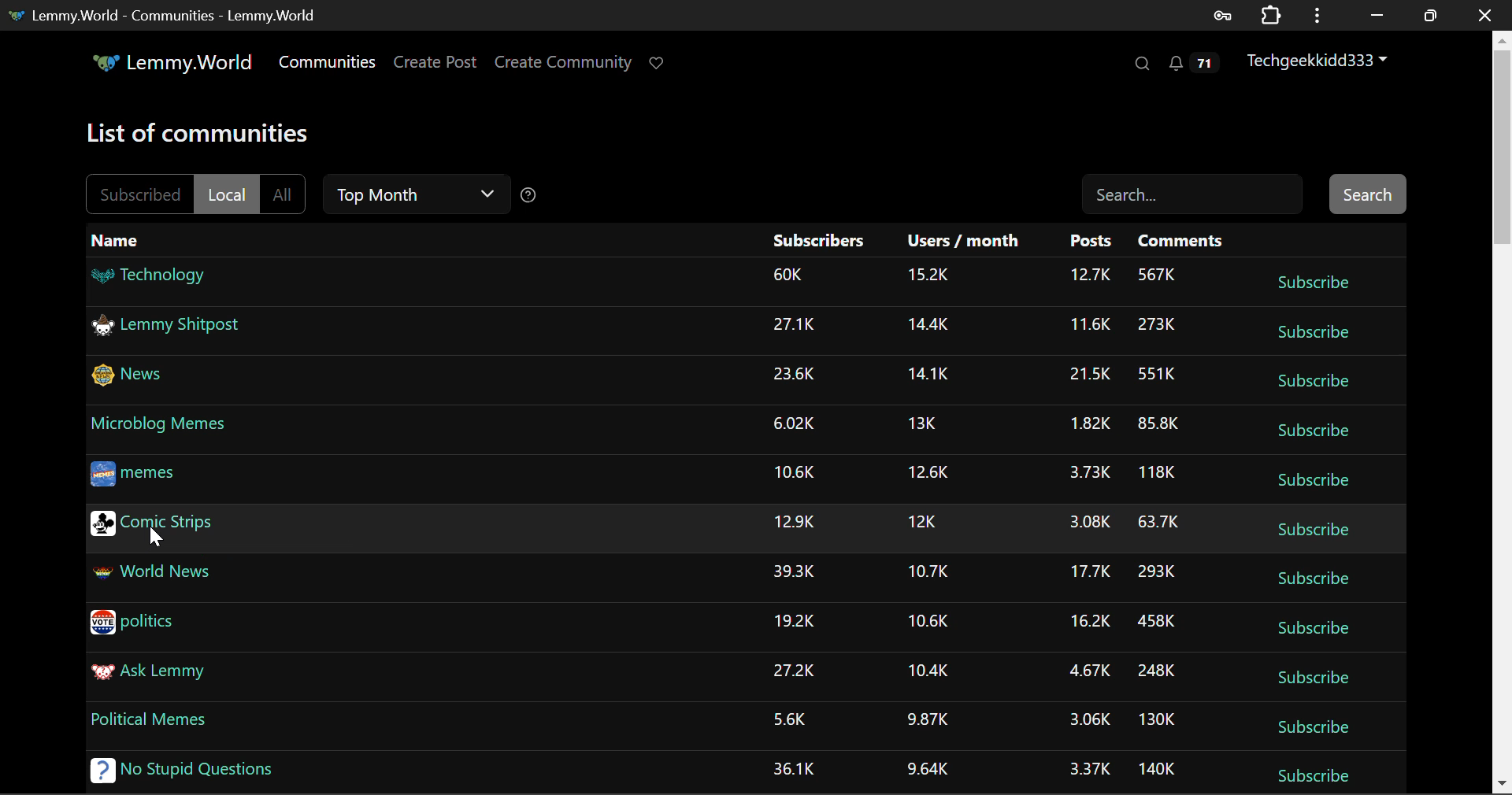  I want to click on Subscribe, so click(1314, 281).